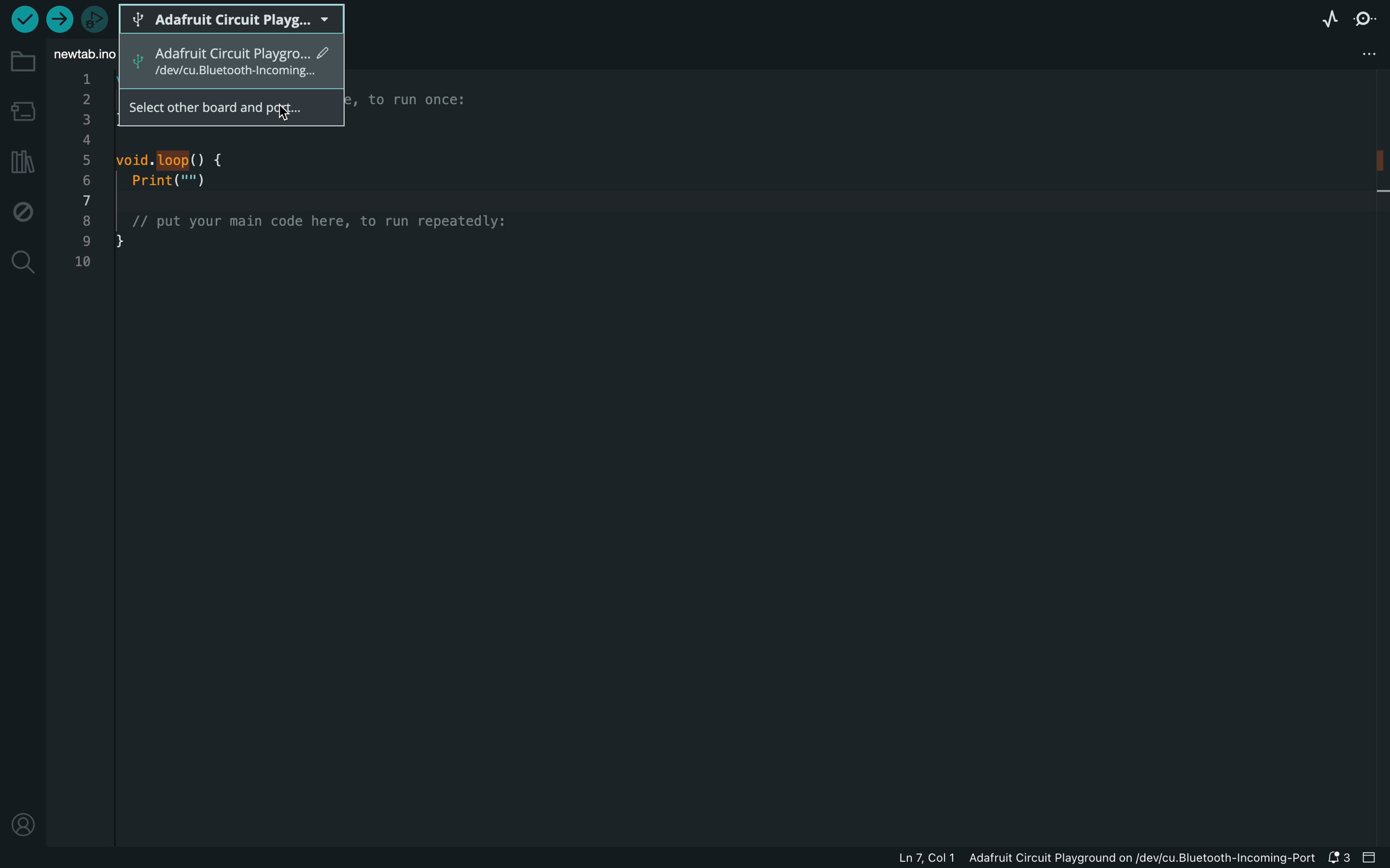 This screenshot has width=1390, height=868. Describe the element at coordinates (310, 209) in the screenshot. I see `code` at that location.